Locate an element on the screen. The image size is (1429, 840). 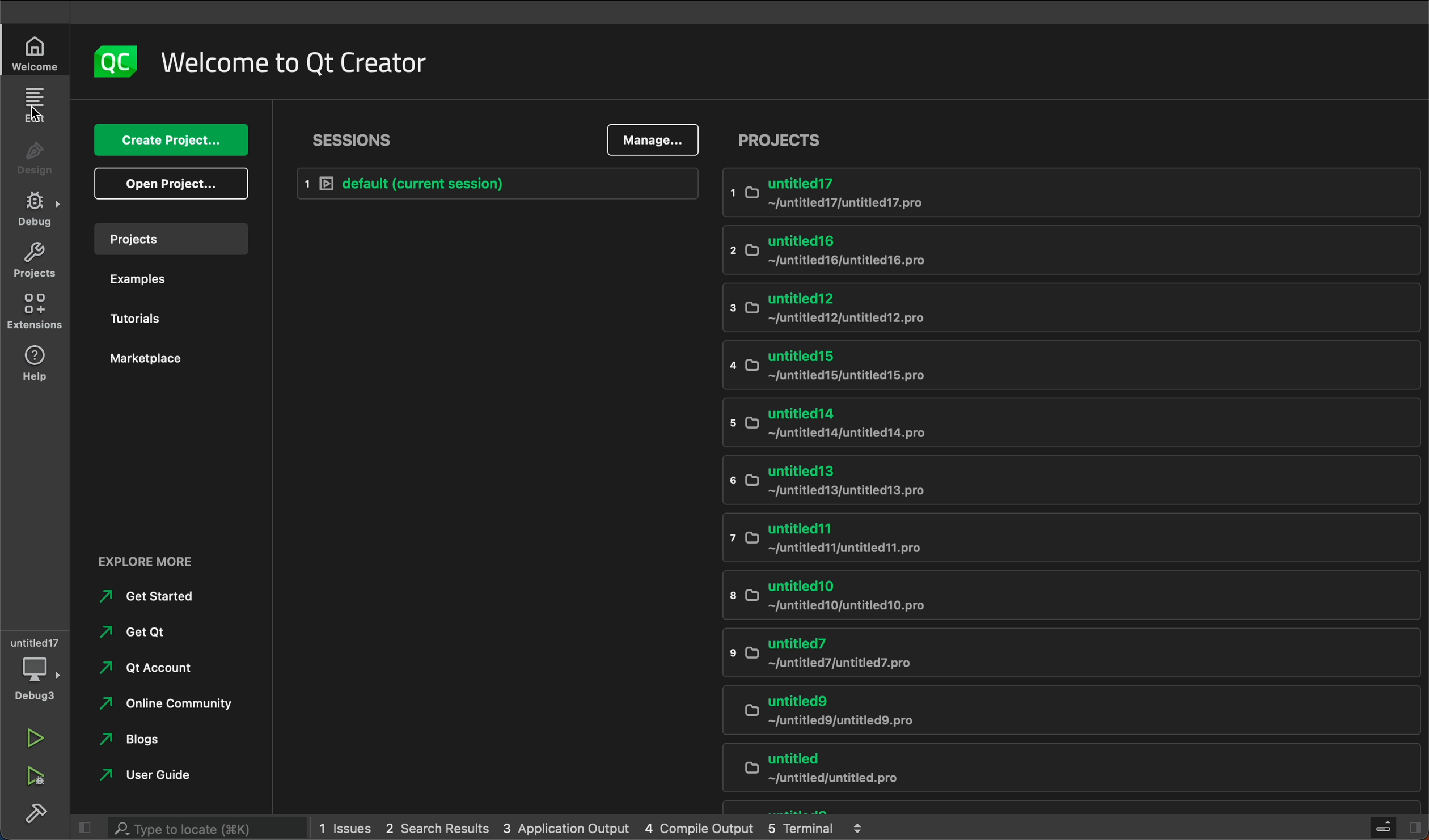
5 terminal is located at coordinates (818, 829).